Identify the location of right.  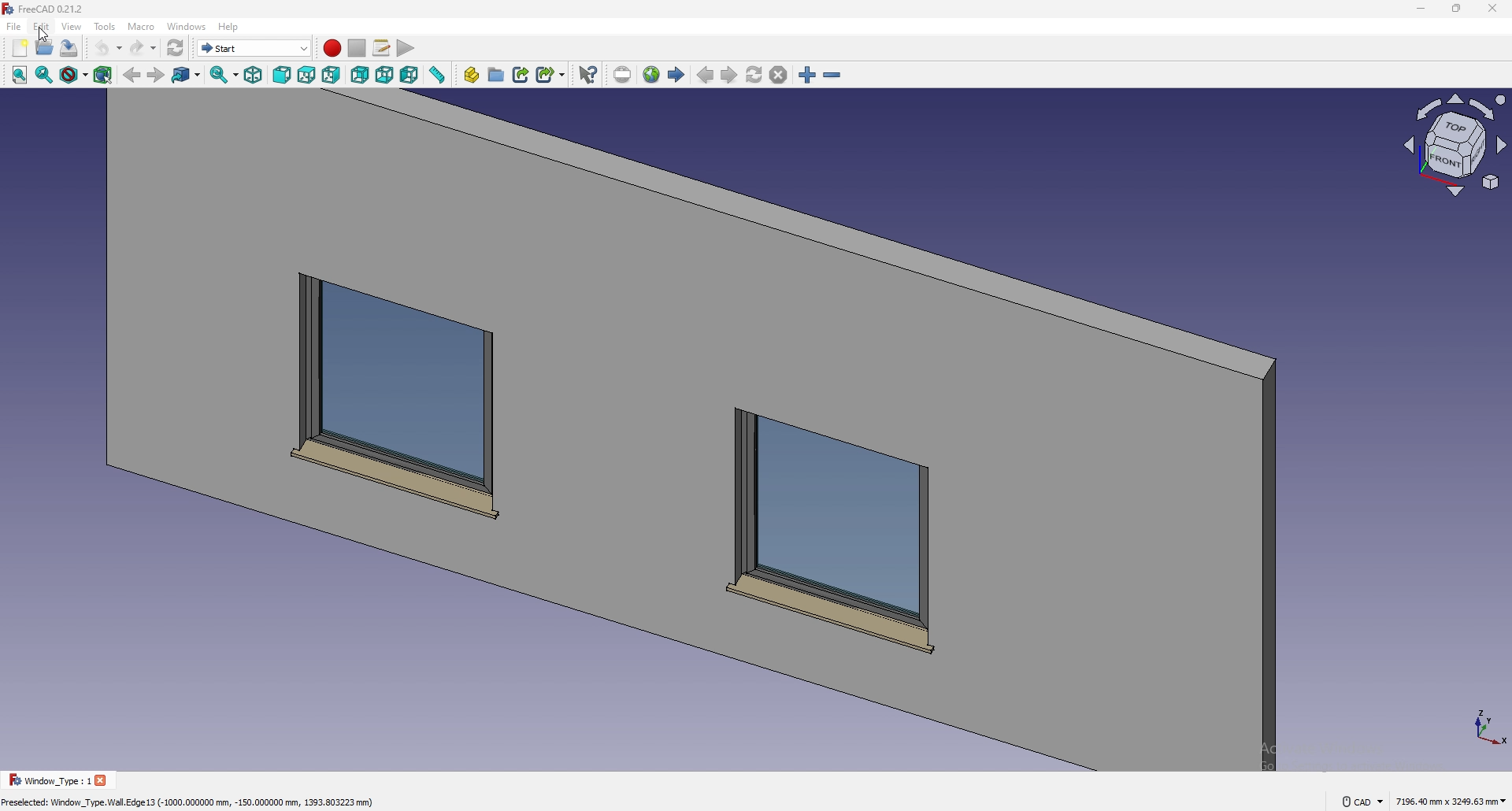
(332, 75).